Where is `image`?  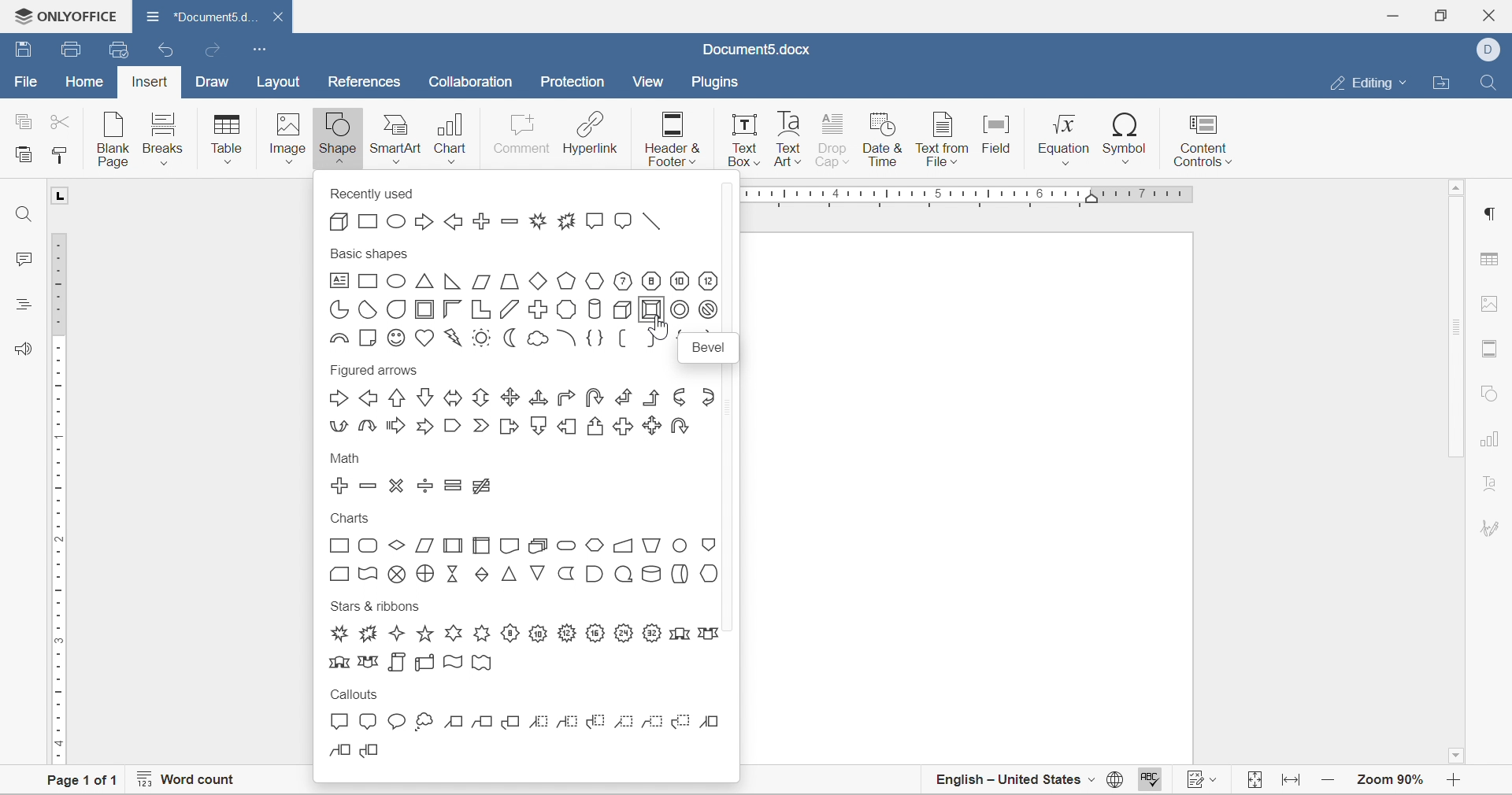
image is located at coordinates (287, 137).